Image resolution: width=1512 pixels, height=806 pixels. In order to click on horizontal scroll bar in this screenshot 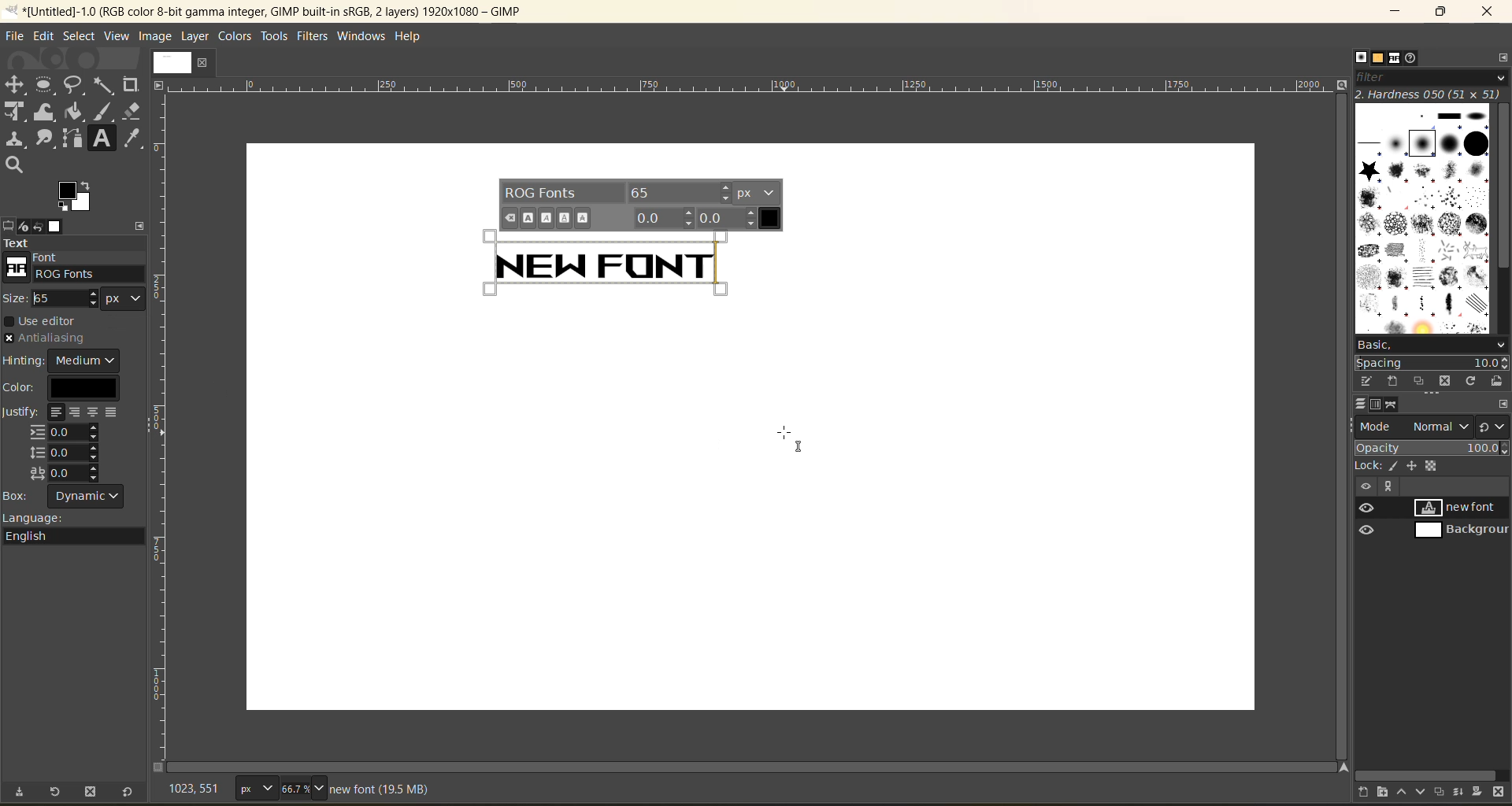, I will do `click(1428, 775)`.